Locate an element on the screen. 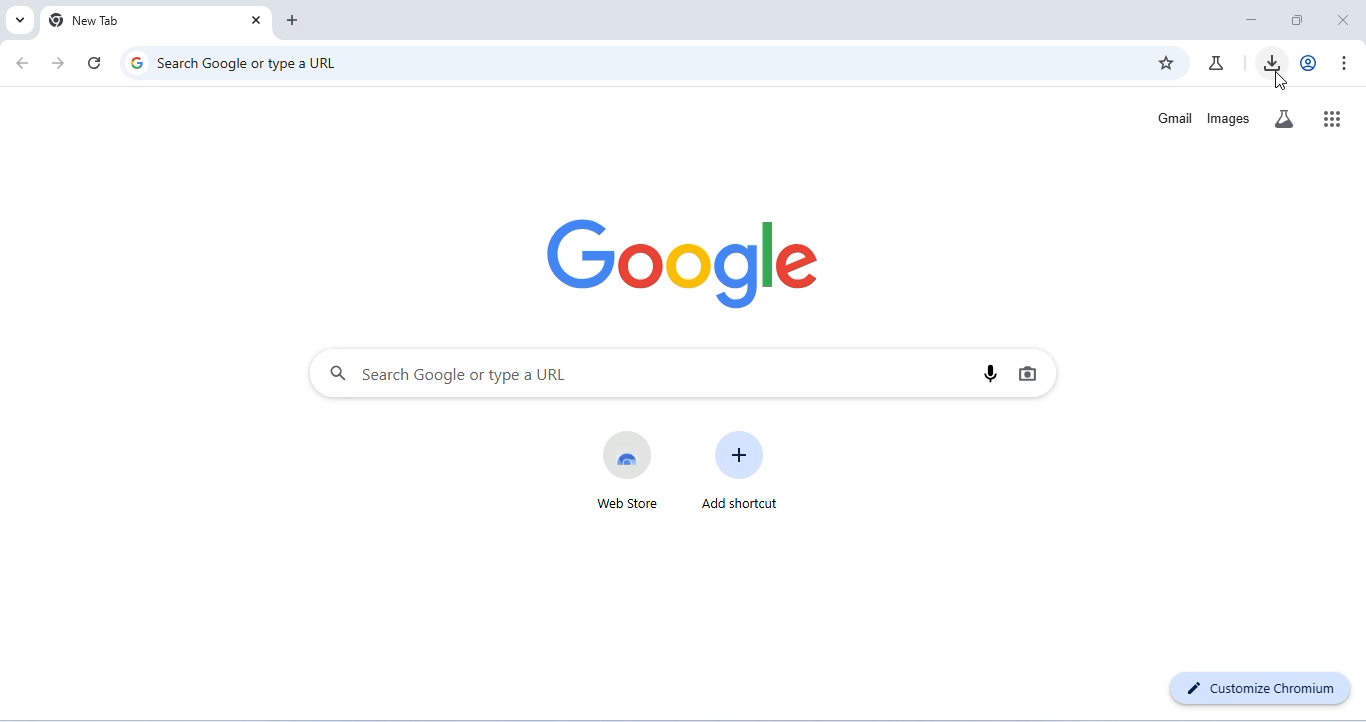 Image resolution: width=1366 pixels, height=722 pixels. refresh is located at coordinates (94, 62).